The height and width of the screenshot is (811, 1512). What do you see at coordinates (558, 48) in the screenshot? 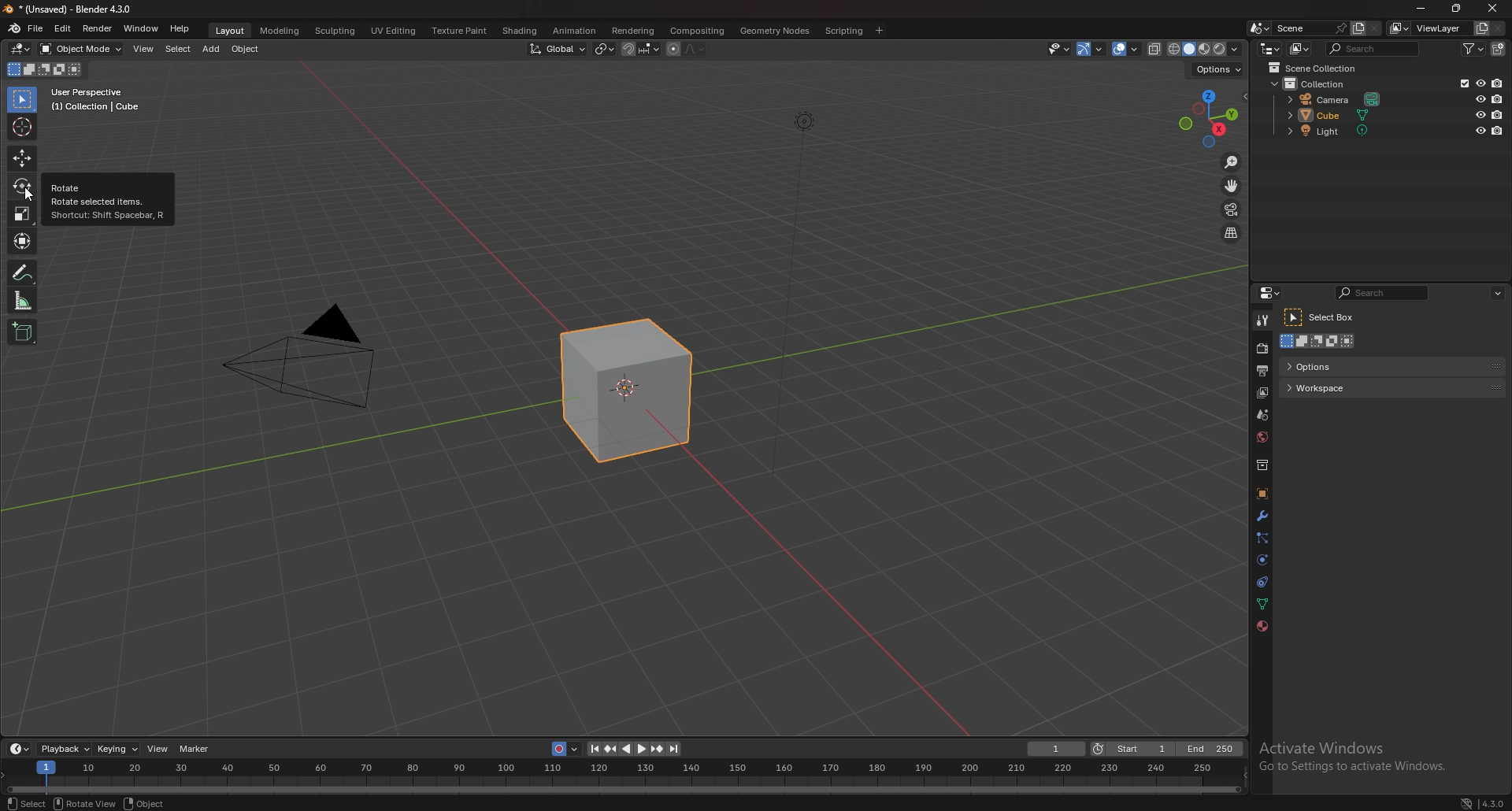
I see `transformation orientation` at bounding box center [558, 48].